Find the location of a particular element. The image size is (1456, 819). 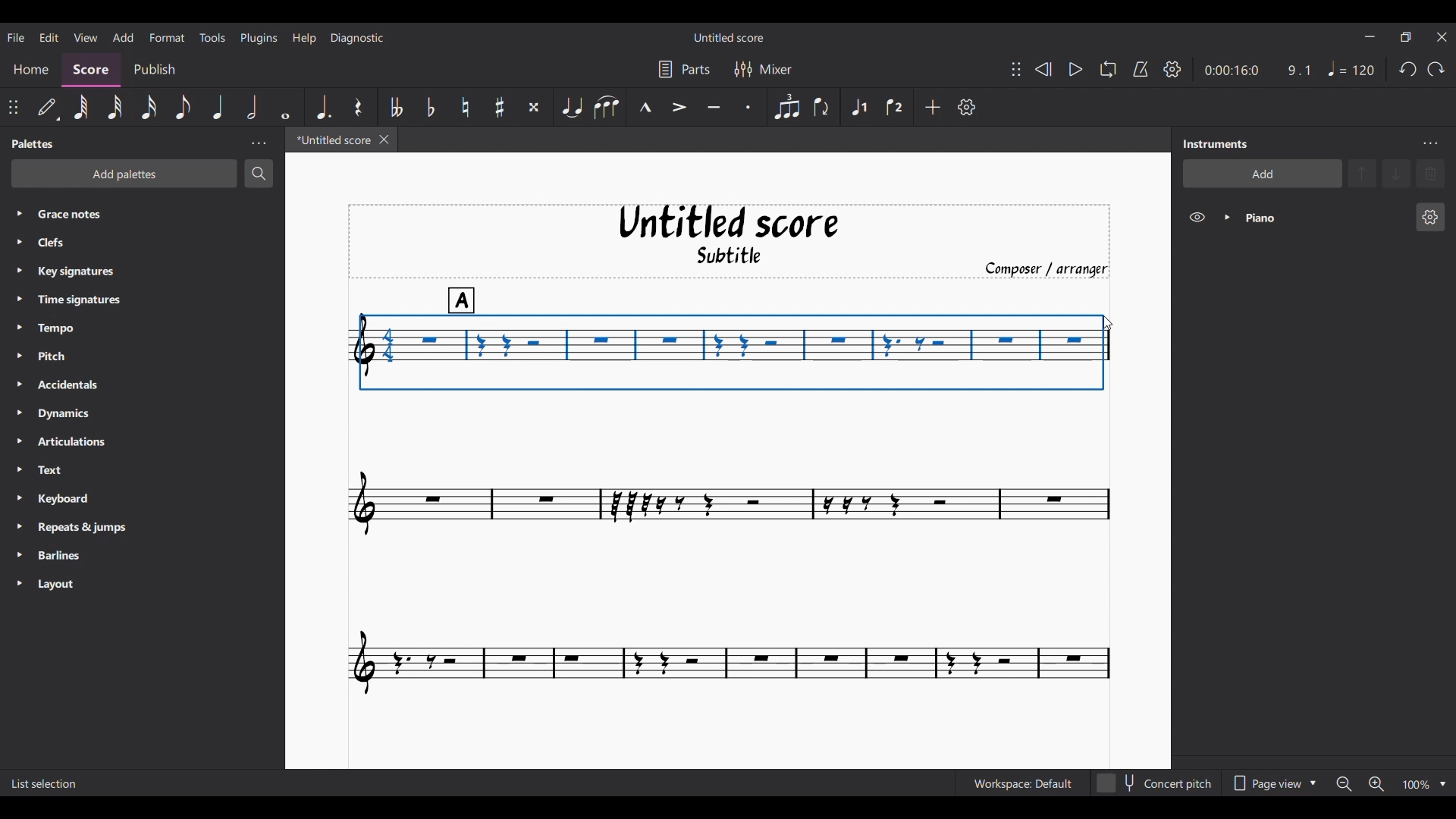

Panel settings is located at coordinates (259, 143).